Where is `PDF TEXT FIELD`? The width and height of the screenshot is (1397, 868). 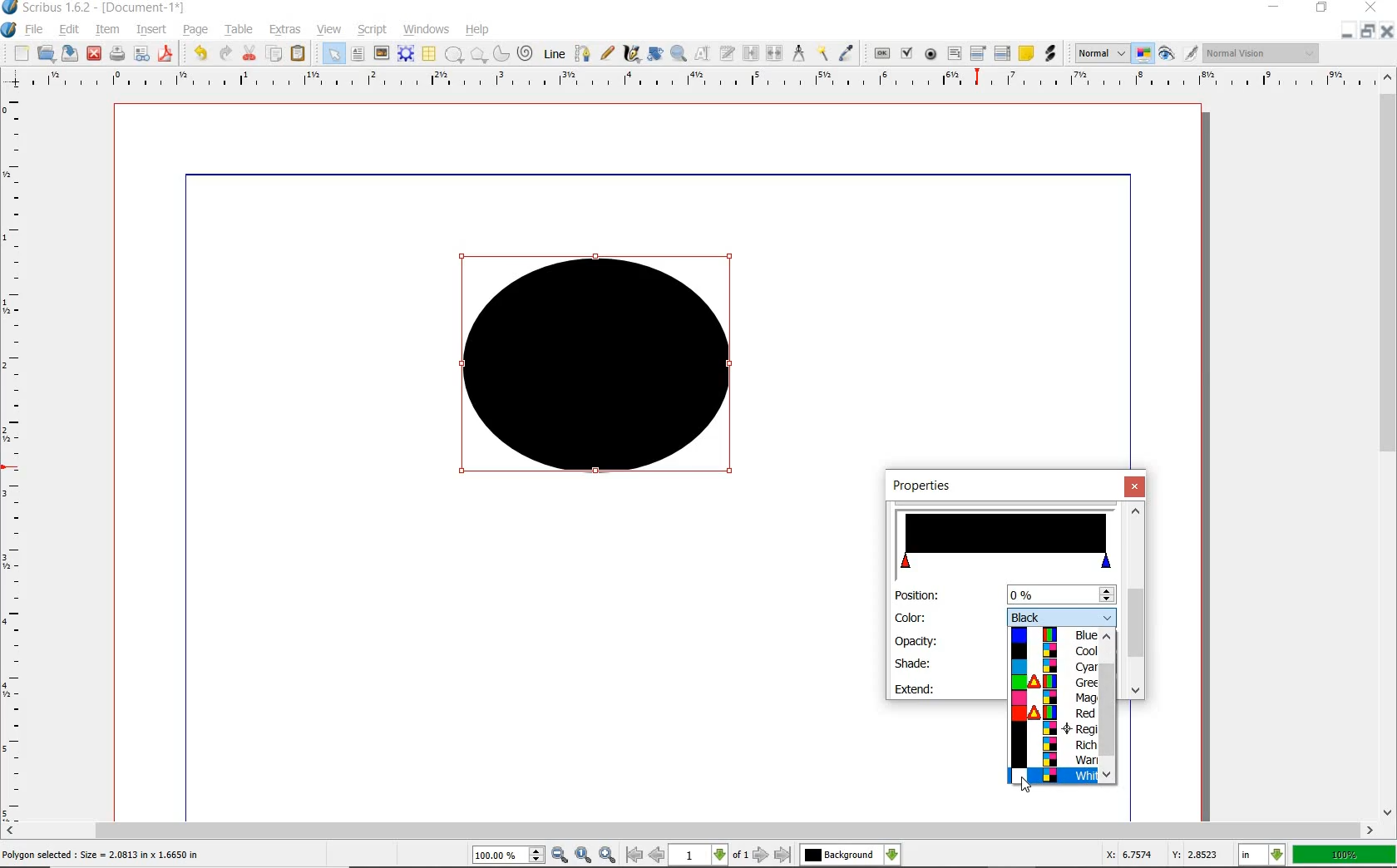
PDF TEXT FIELD is located at coordinates (954, 53).